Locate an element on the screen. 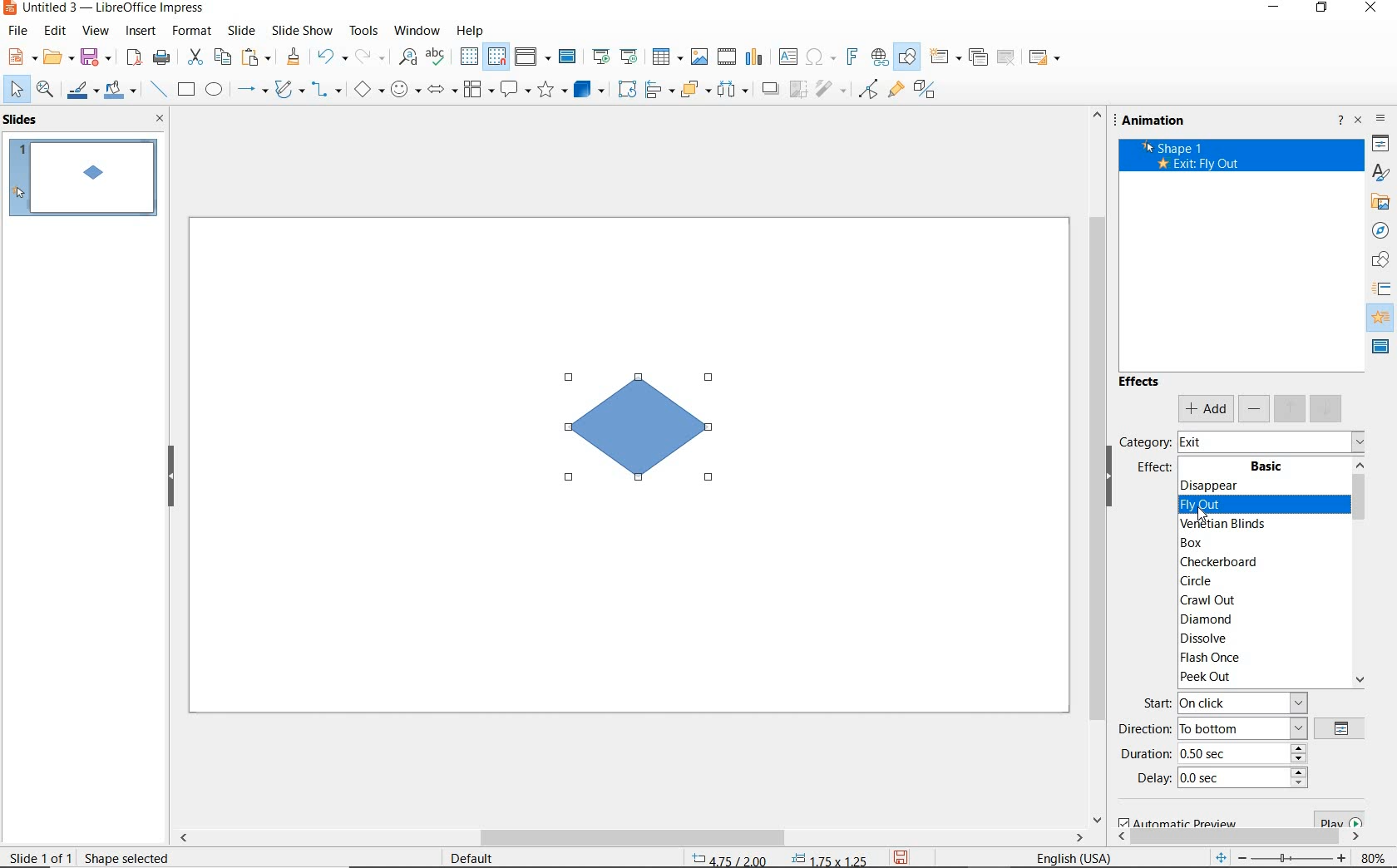 The height and width of the screenshot is (868, 1397). zoom out or zoom in is located at coordinates (1279, 856).